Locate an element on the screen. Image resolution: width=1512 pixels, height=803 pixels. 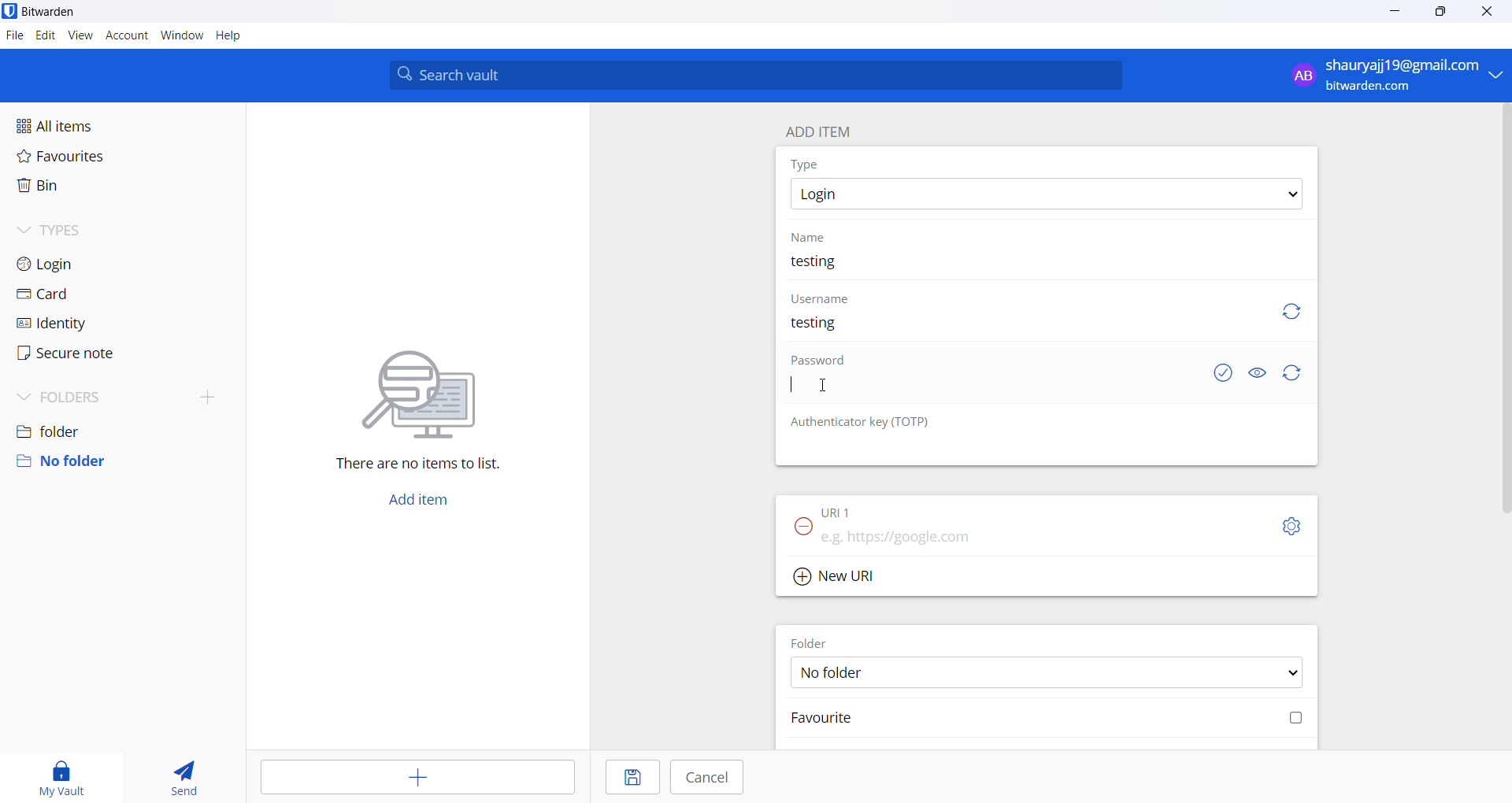
add entry is located at coordinates (414, 775).